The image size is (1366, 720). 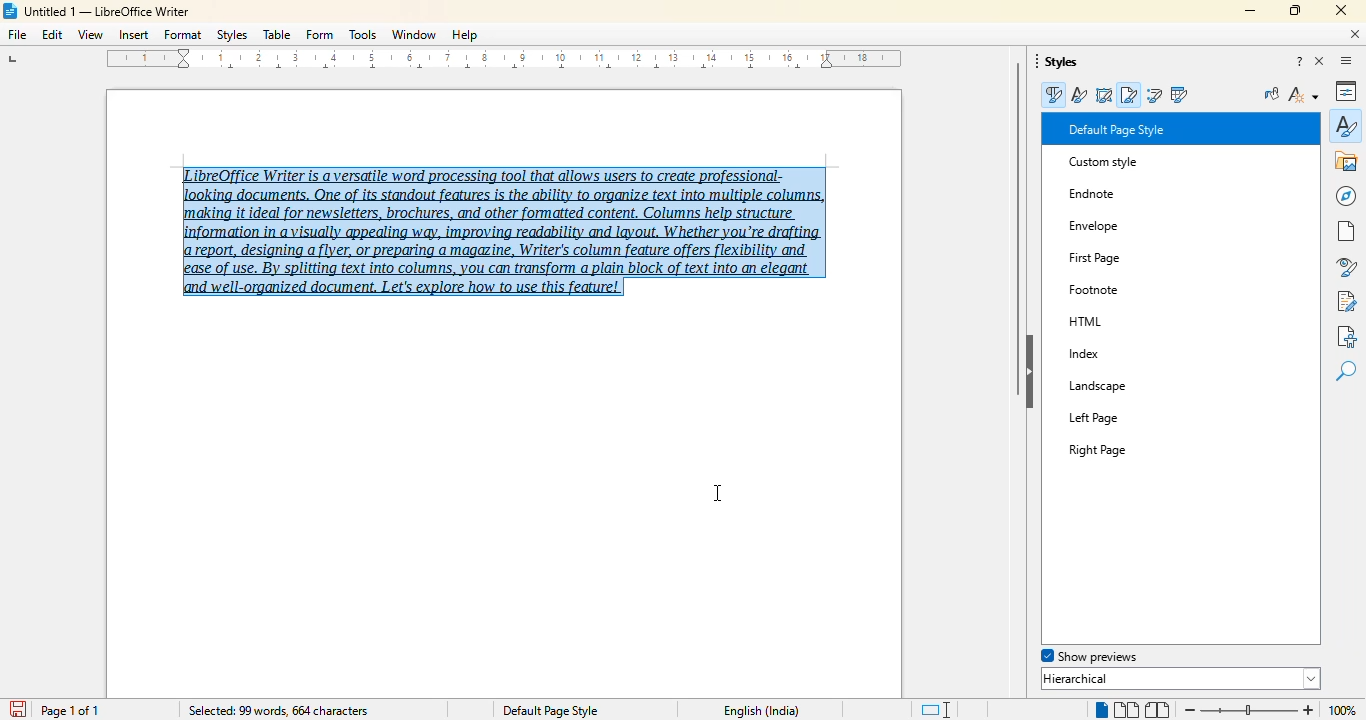 What do you see at coordinates (1294, 10) in the screenshot?
I see `maximize` at bounding box center [1294, 10].